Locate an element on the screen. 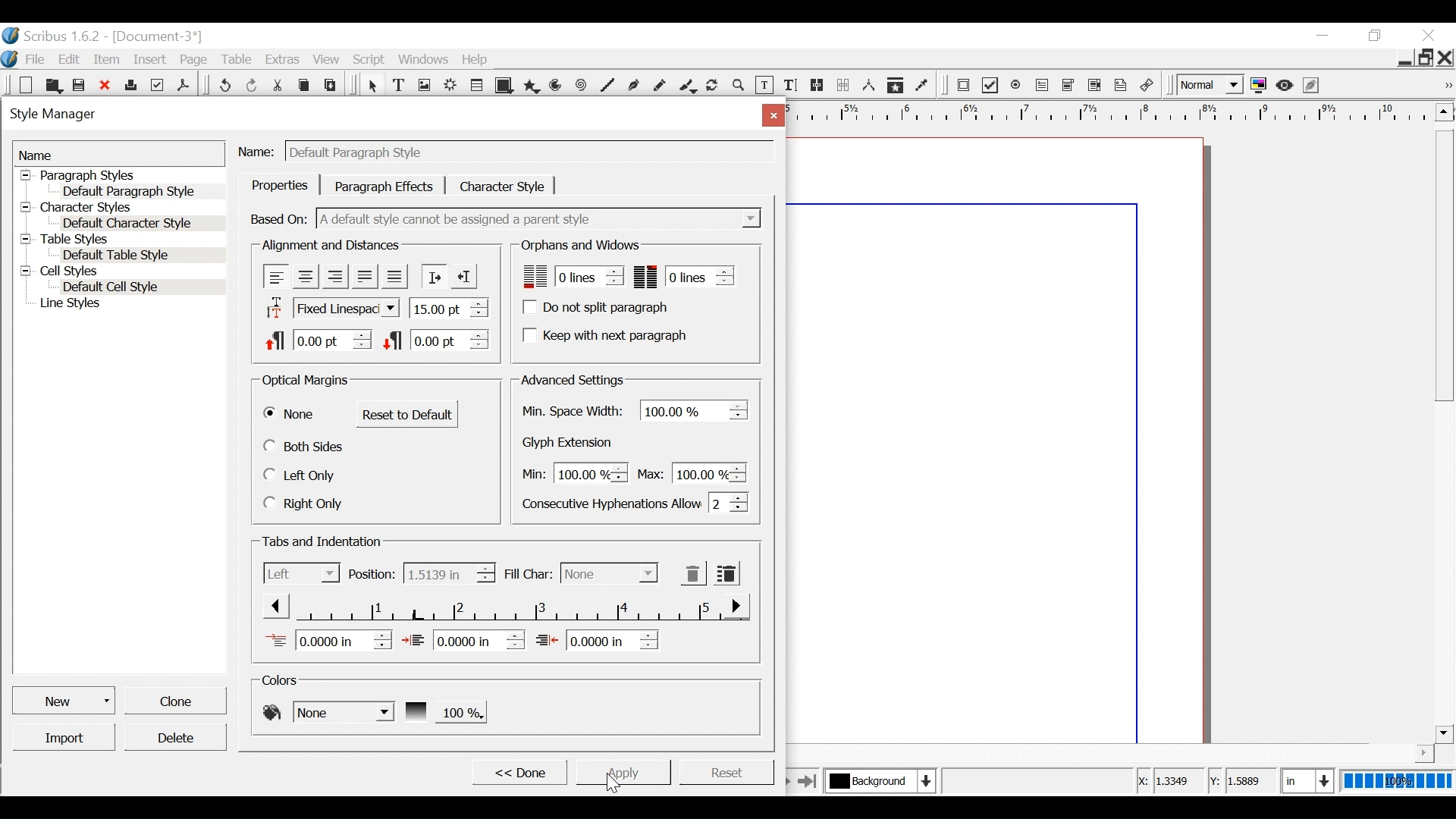 This screenshot has width=1456, height=819. Default Character Styles is located at coordinates (142, 224).